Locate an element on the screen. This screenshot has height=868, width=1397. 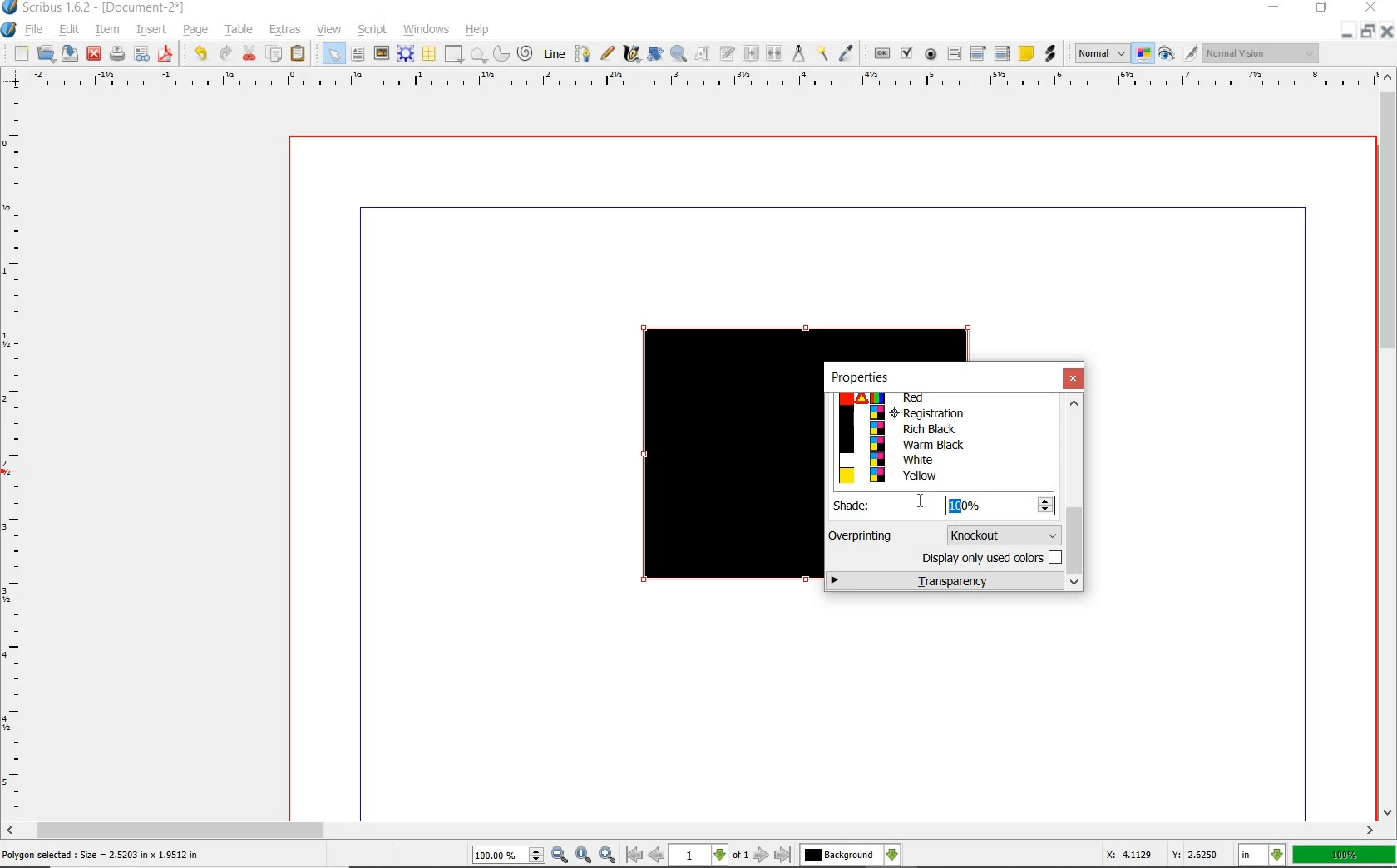
toggle management system is located at coordinates (1143, 55).